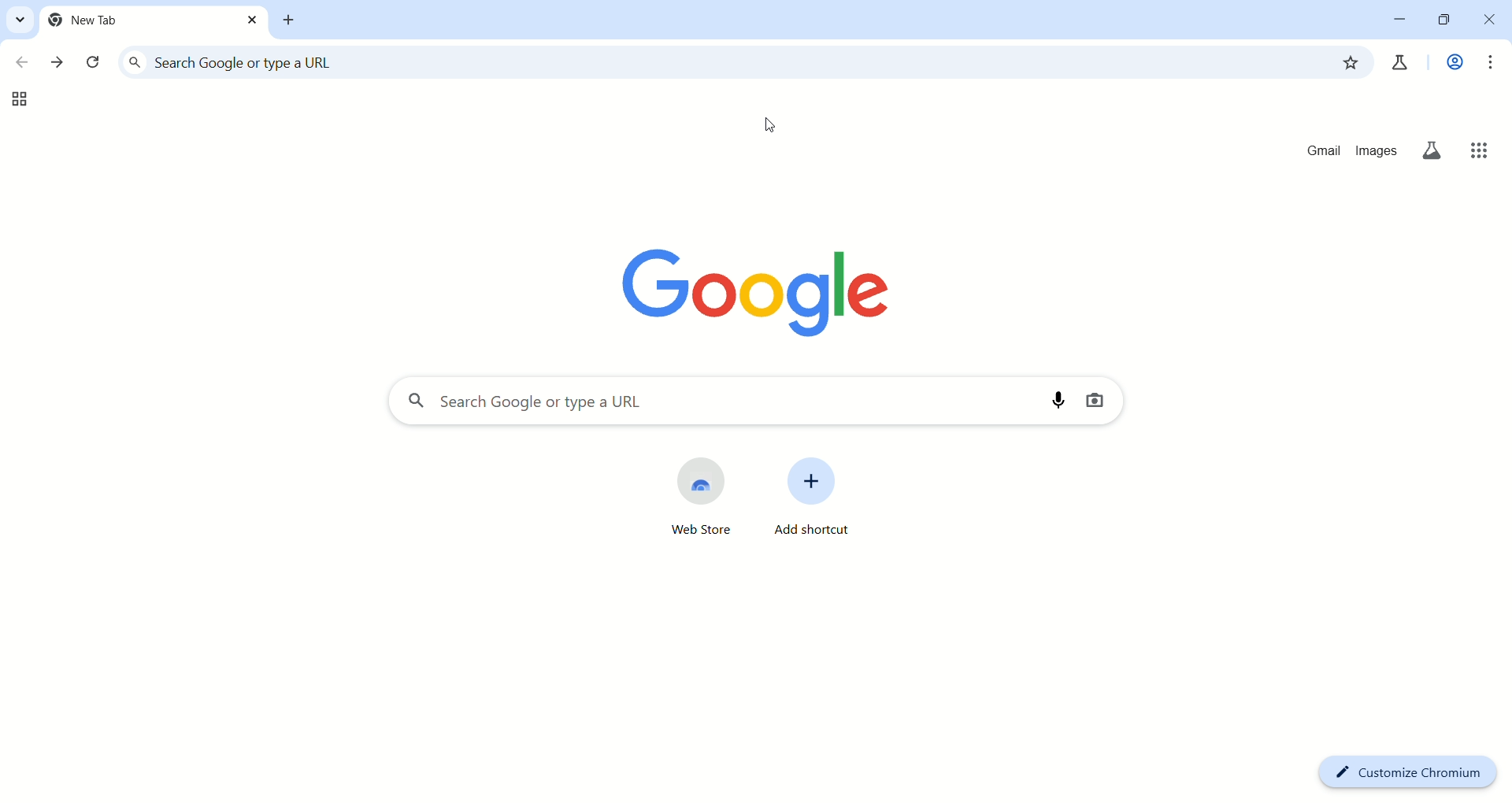  Describe the element at coordinates (1480, 151) in the screenshot. I see `google apps` at that location.